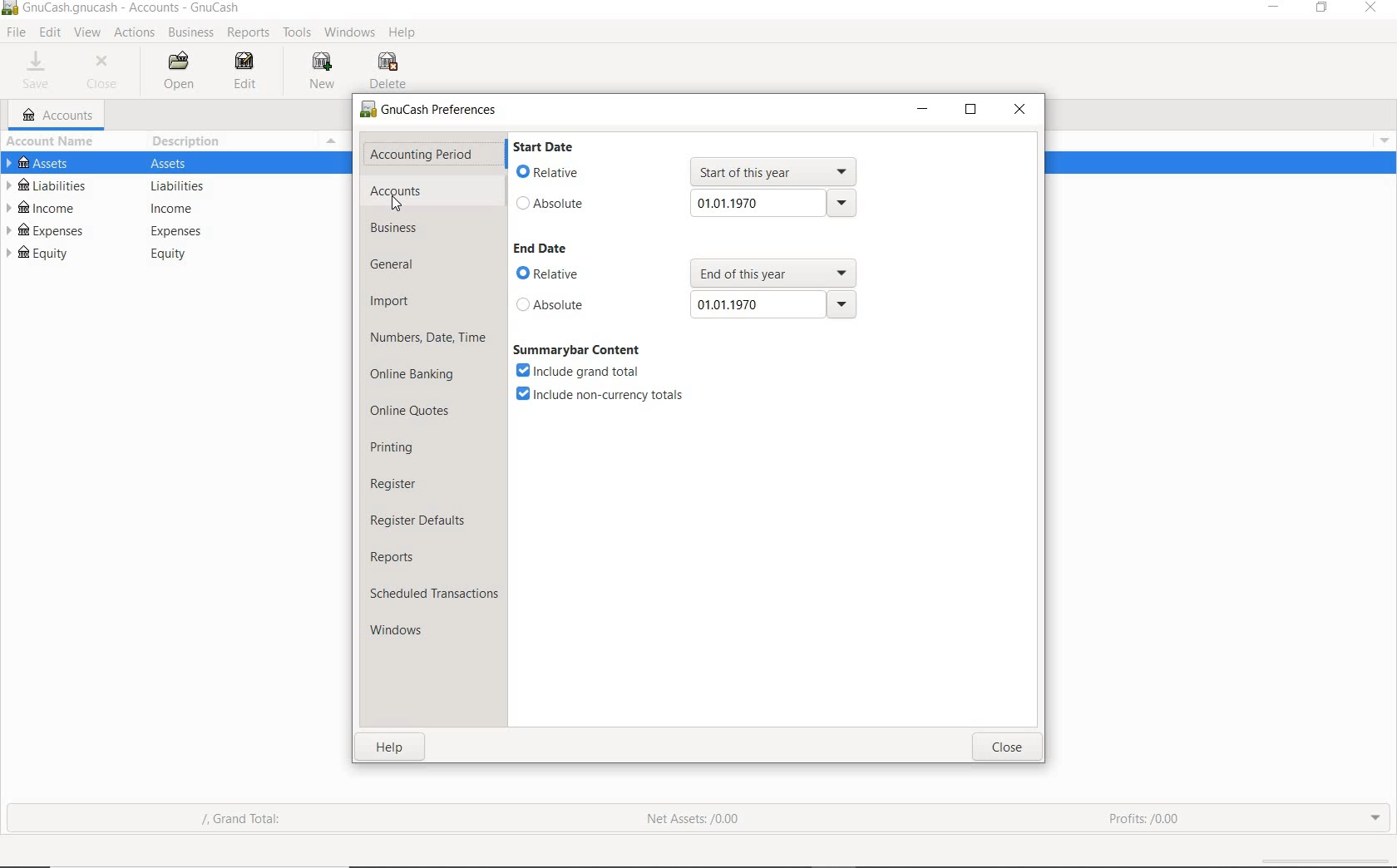 The width and height of the screenshot is (1397, 868). What do you see at coordinates (180, 208) in the screenshot?
I see `` at bounding box center [180, 208].